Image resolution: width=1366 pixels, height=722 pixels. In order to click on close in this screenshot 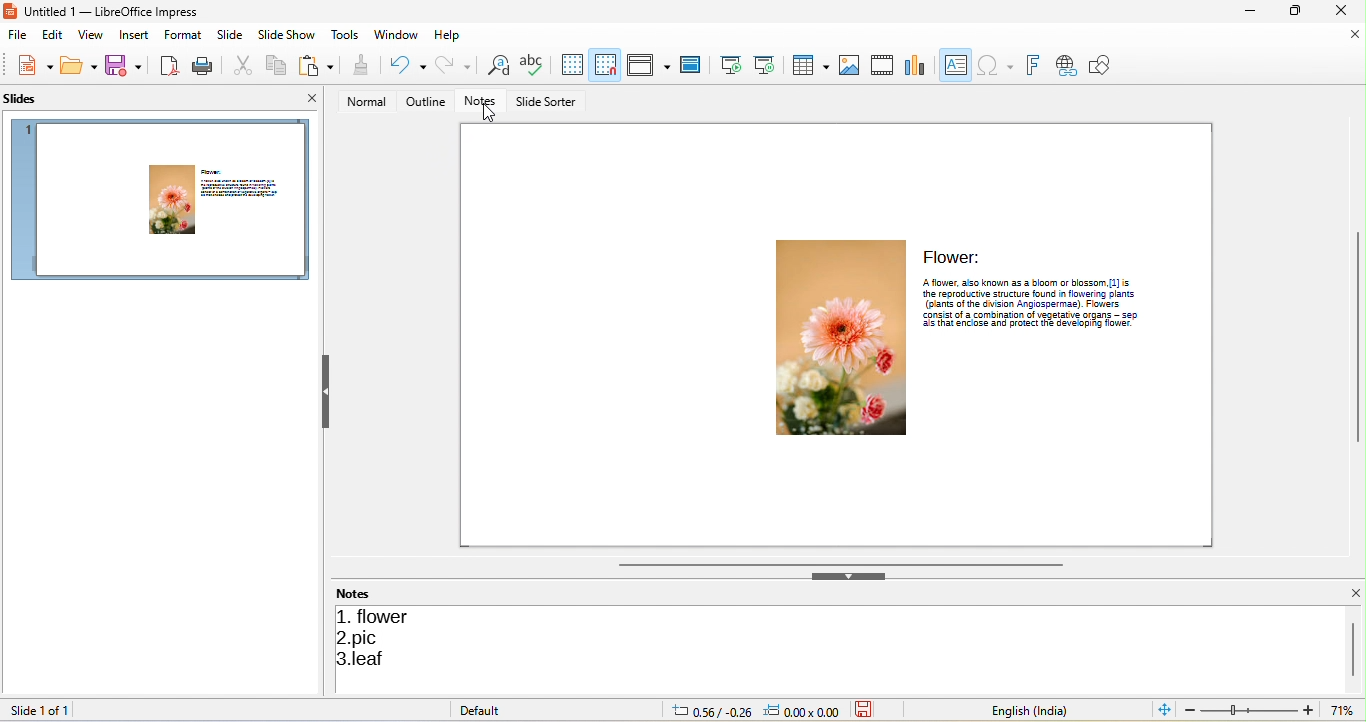, I will do `click(1354, 593)`.